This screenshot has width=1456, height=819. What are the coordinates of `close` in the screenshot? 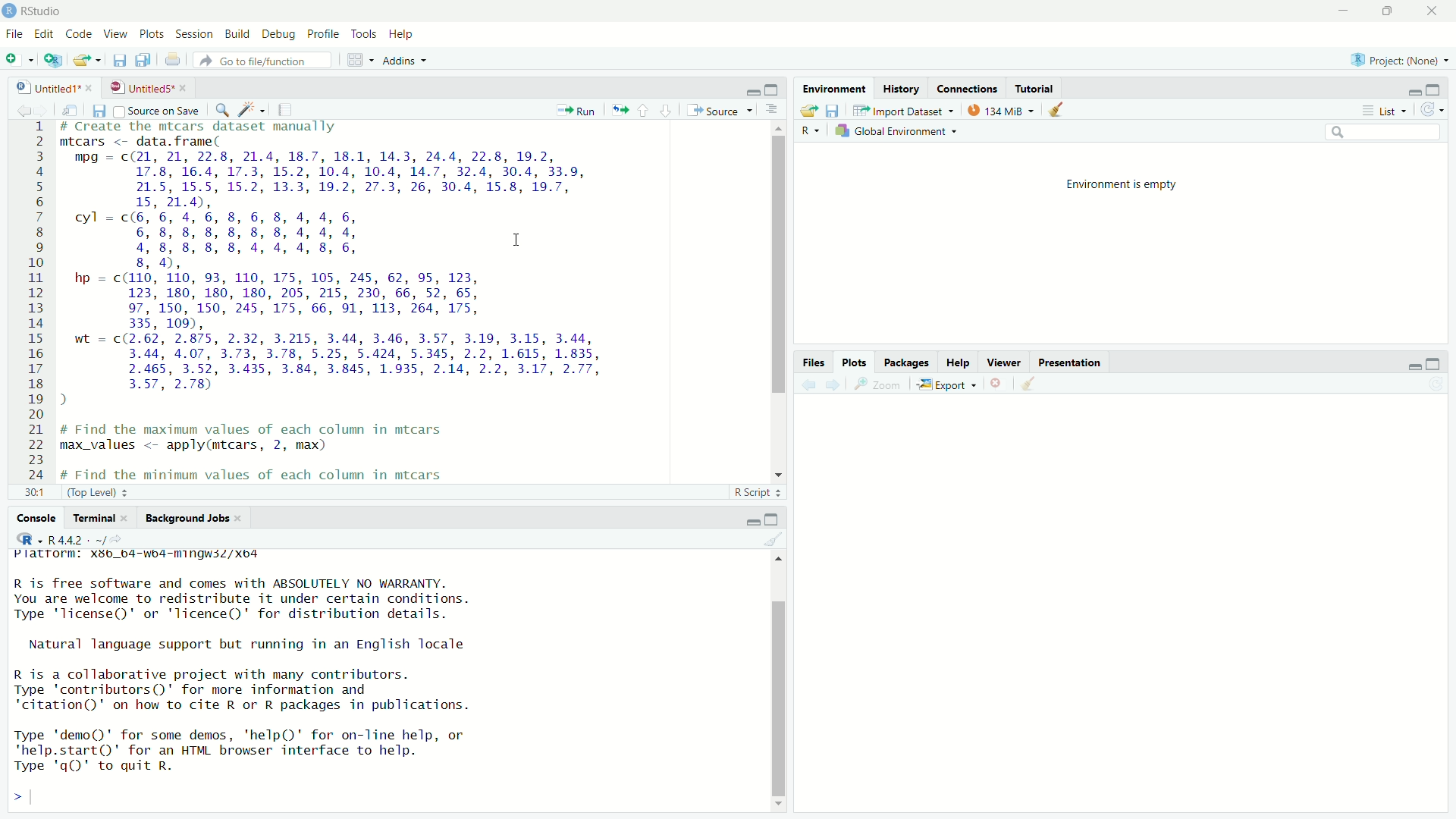 It's located at (1436, 11).